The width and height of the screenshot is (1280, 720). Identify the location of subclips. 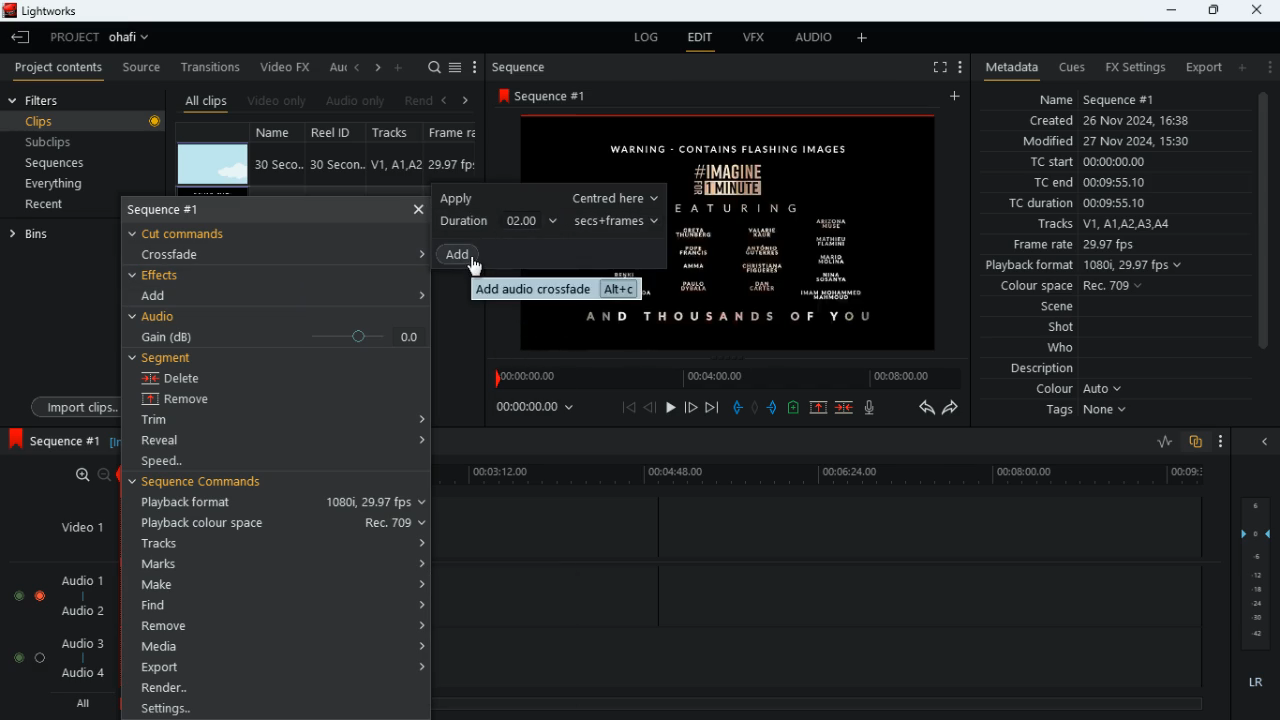
(51, 145).